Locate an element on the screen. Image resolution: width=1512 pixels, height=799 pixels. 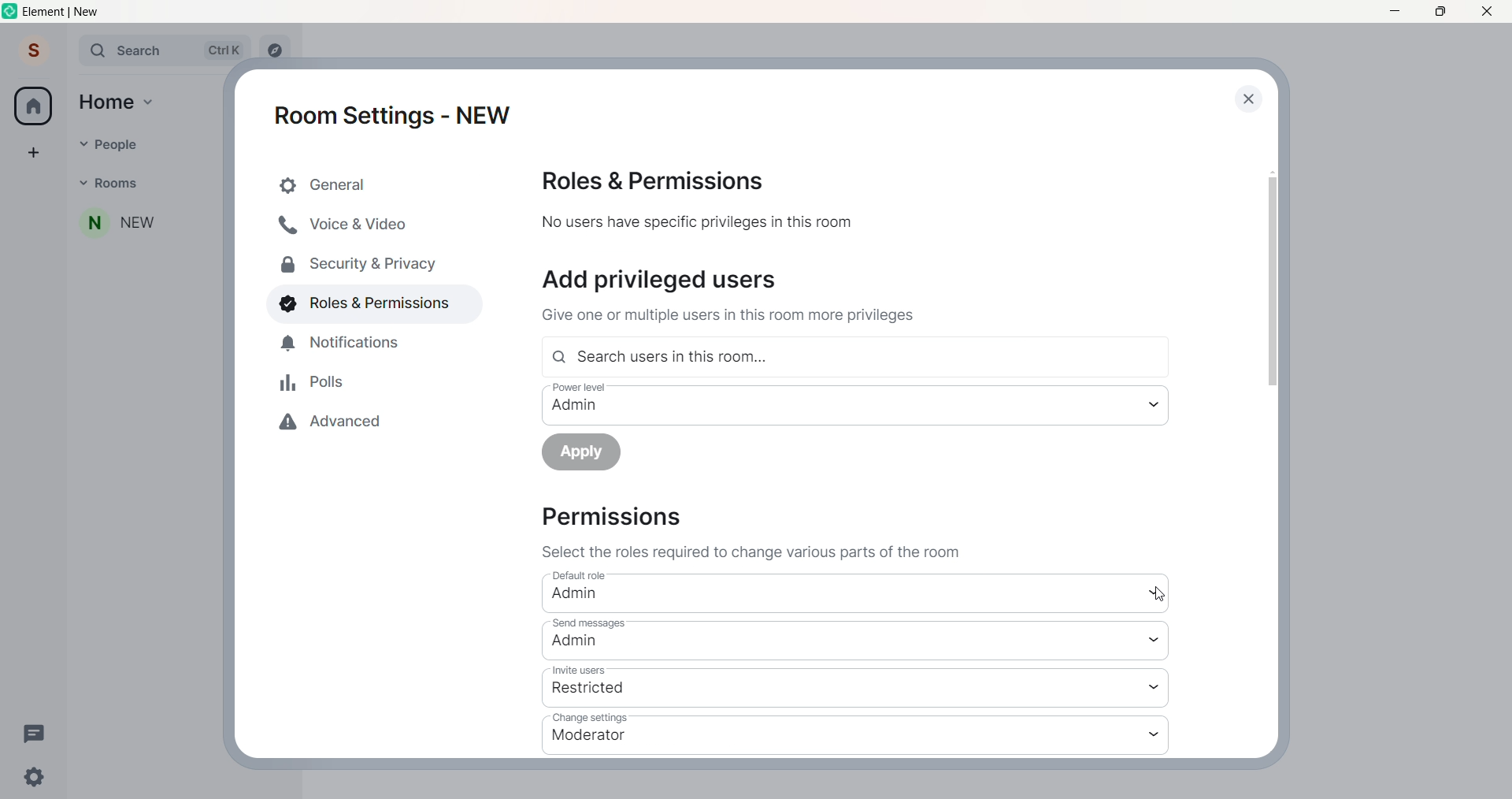
polls is located at coordinates (313, 382).